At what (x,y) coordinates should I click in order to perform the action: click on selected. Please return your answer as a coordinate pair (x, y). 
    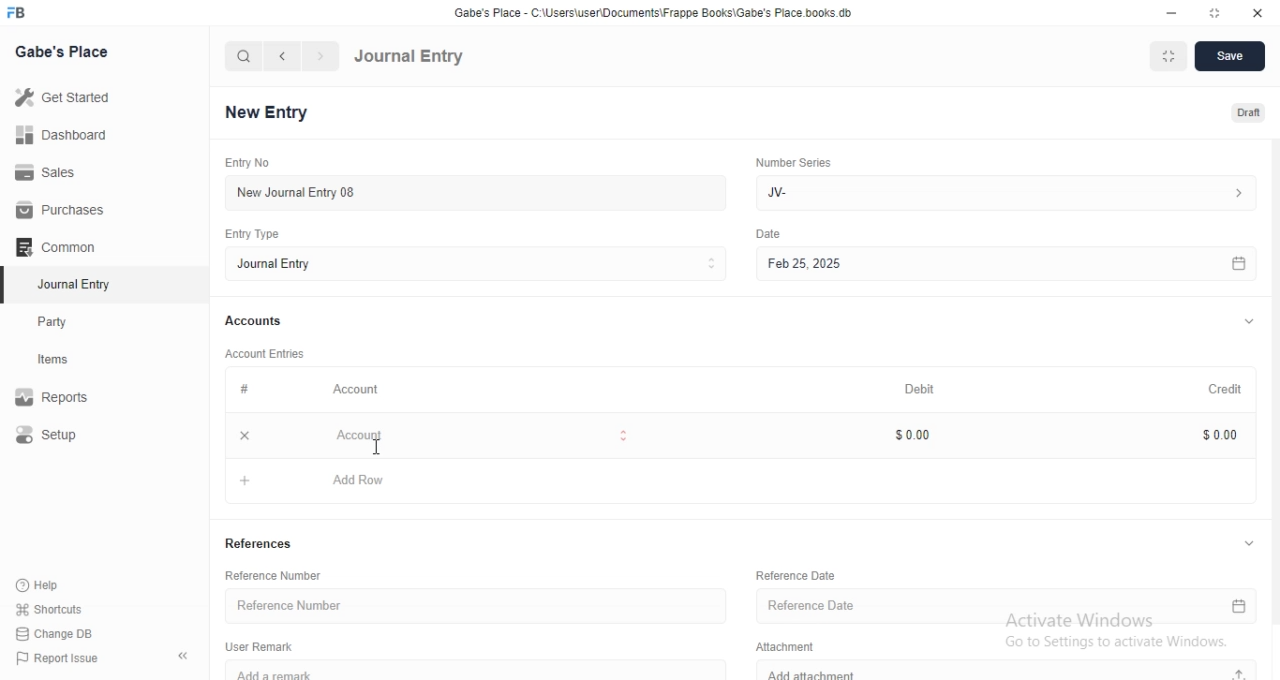
    Looking at the image, I should click on (8, 286).